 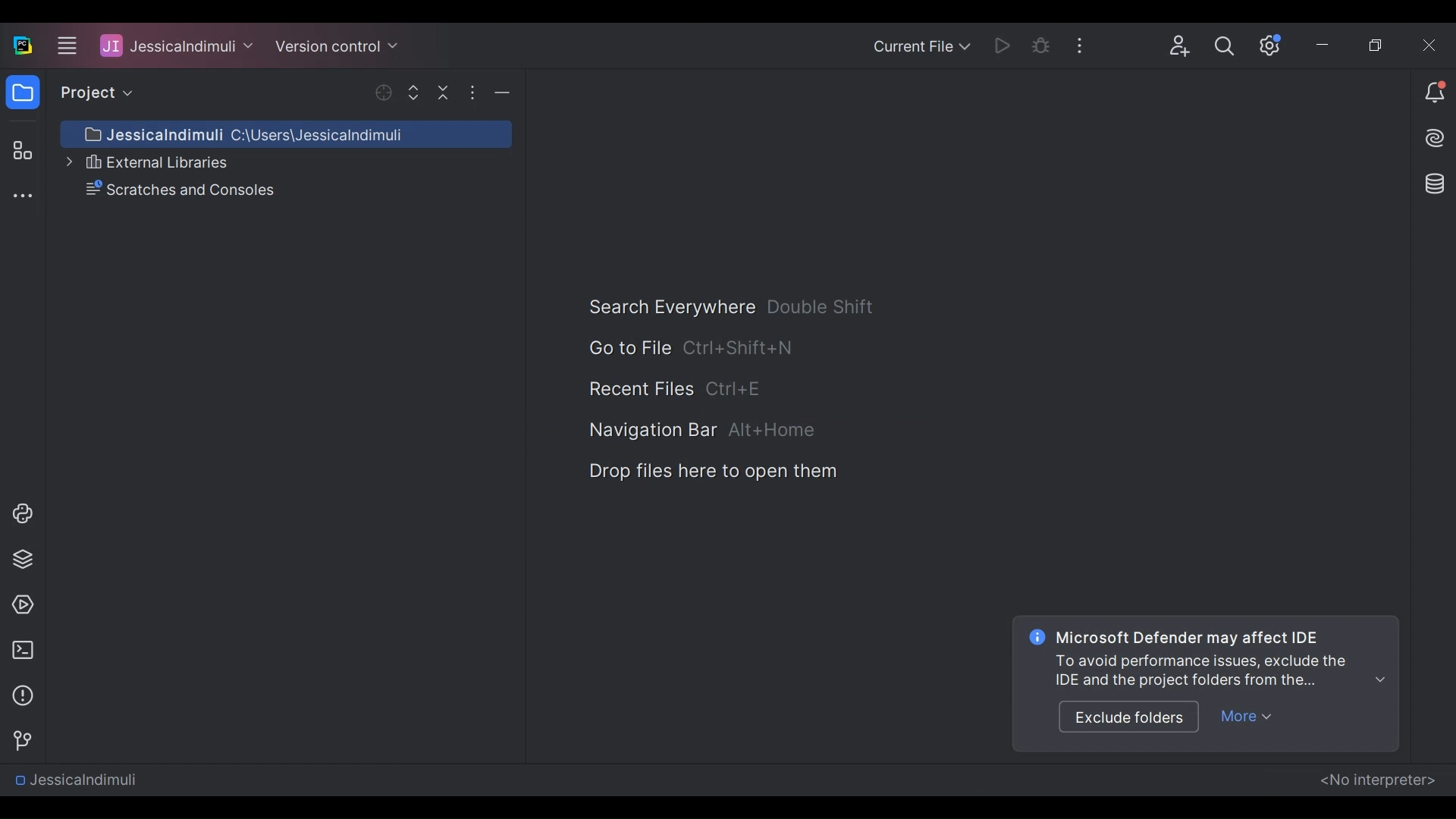 I want to click on External libraries, so click(x=151, y=164).